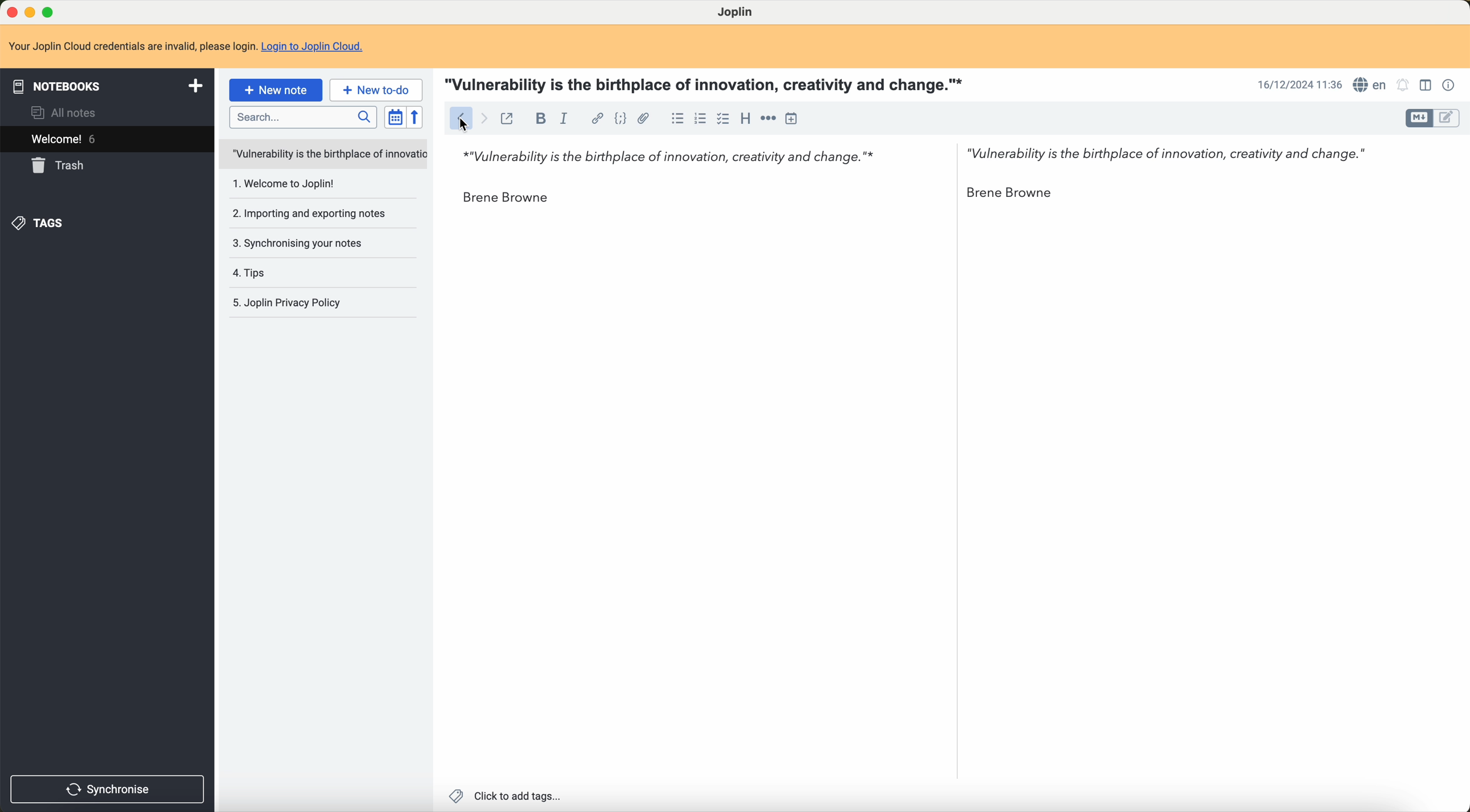  I want to click on language, so click(1372, 86).